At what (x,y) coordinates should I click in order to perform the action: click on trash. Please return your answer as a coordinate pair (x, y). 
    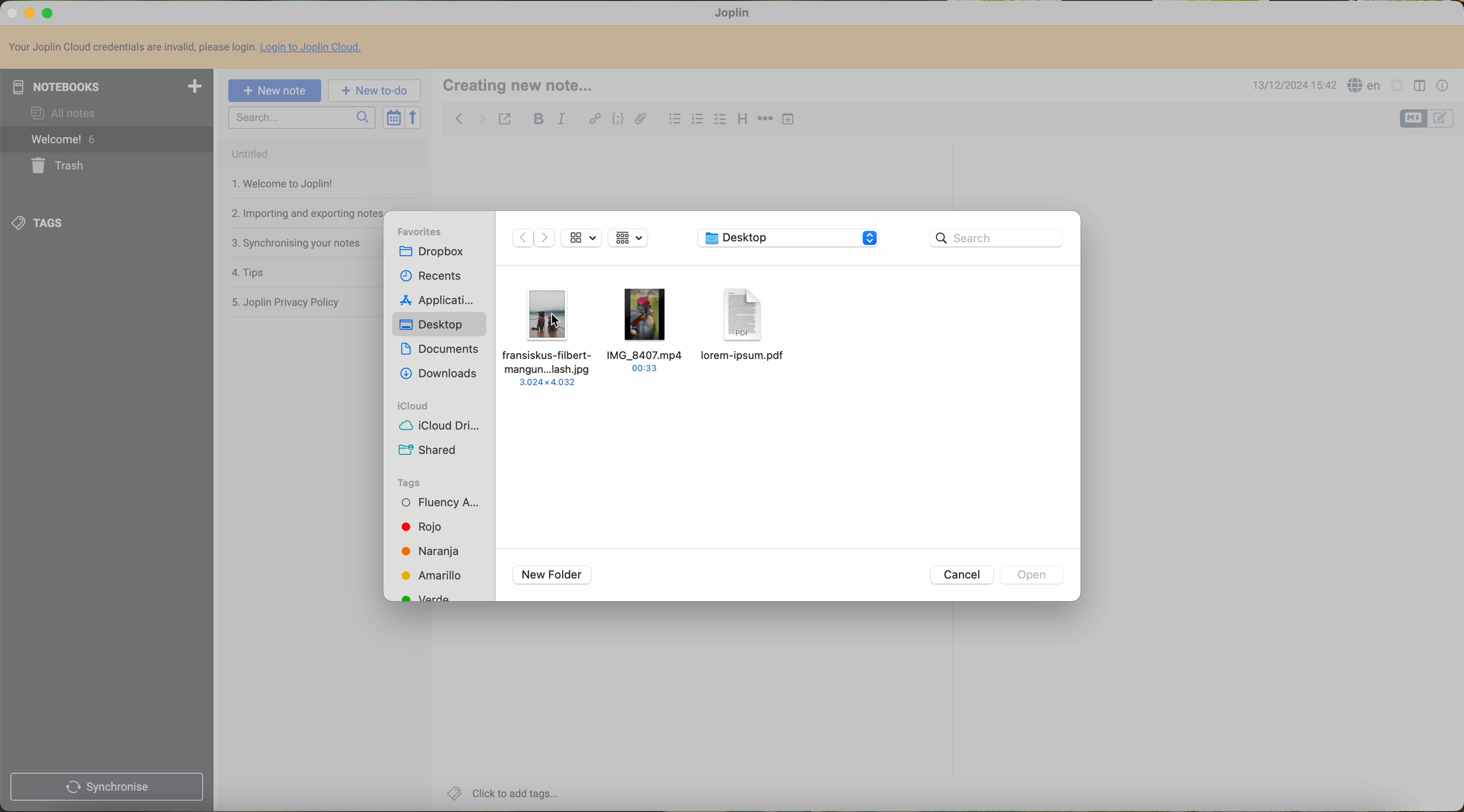
    Looking at the image, I should click on (56, 166).